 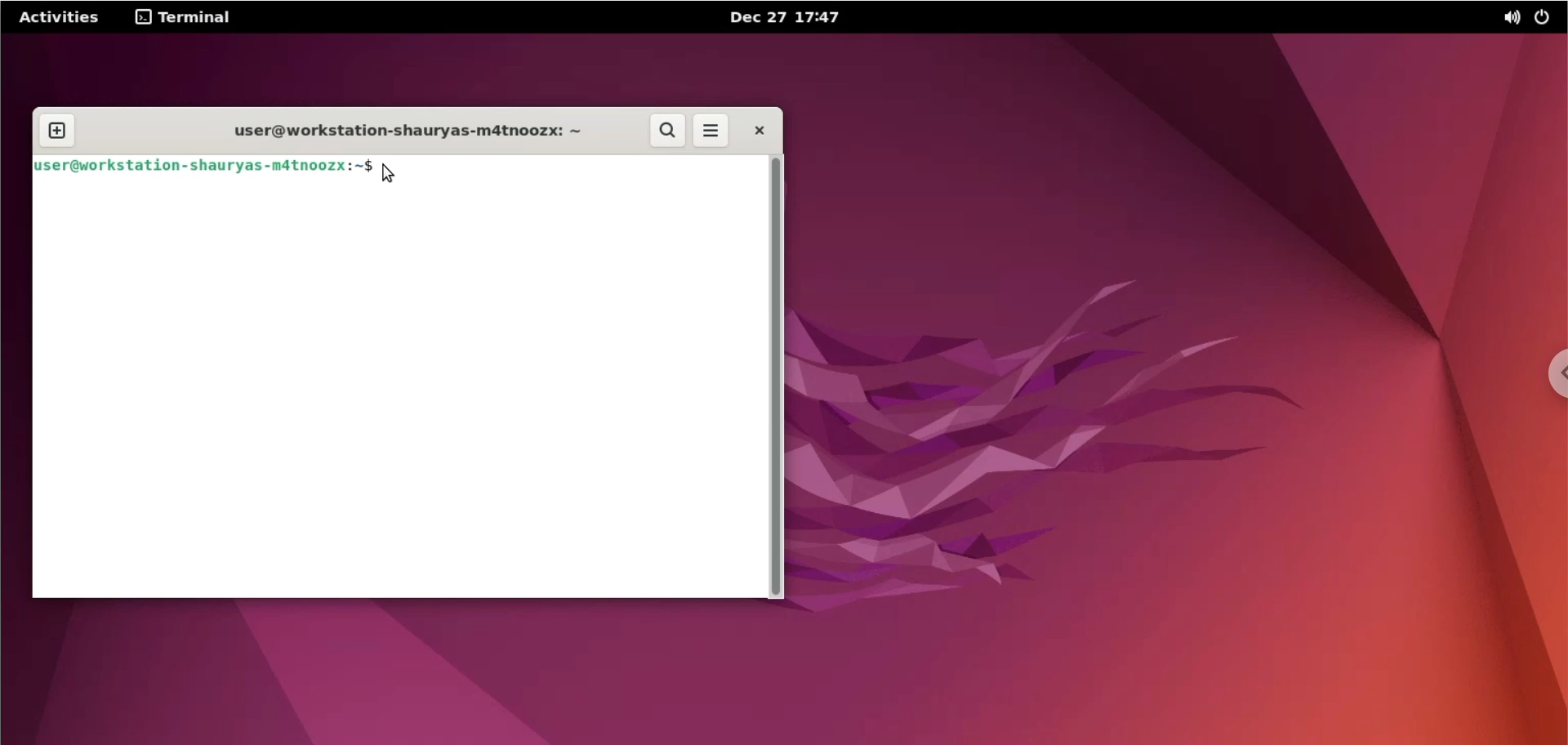 What do you see at coordinates (1549, 373) in the screenshot?
I see `chrome options` at bounding box center [1549, 373].